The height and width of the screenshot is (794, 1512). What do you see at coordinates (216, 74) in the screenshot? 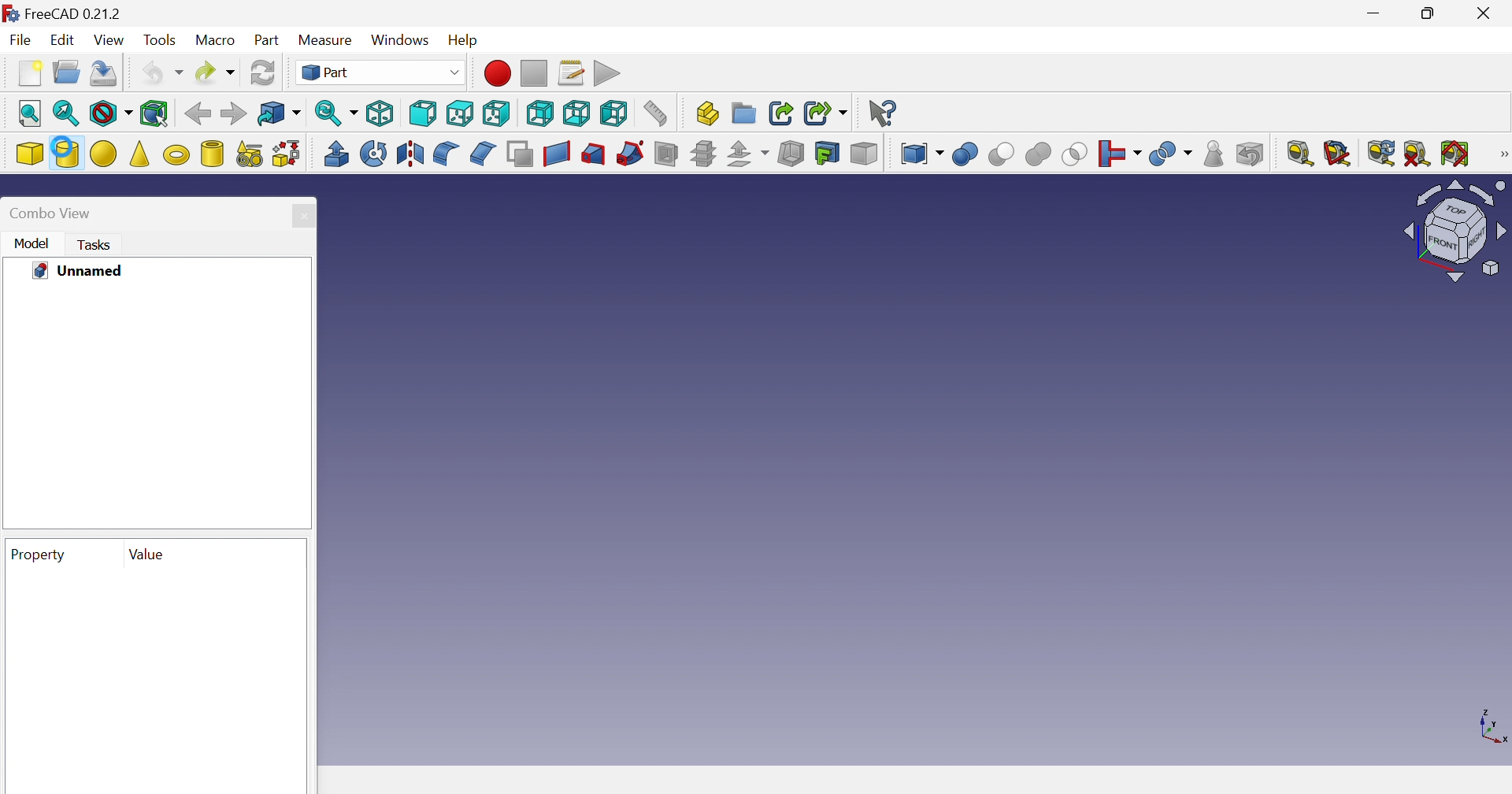
I see `Redo` at bounding box center [216, 74].